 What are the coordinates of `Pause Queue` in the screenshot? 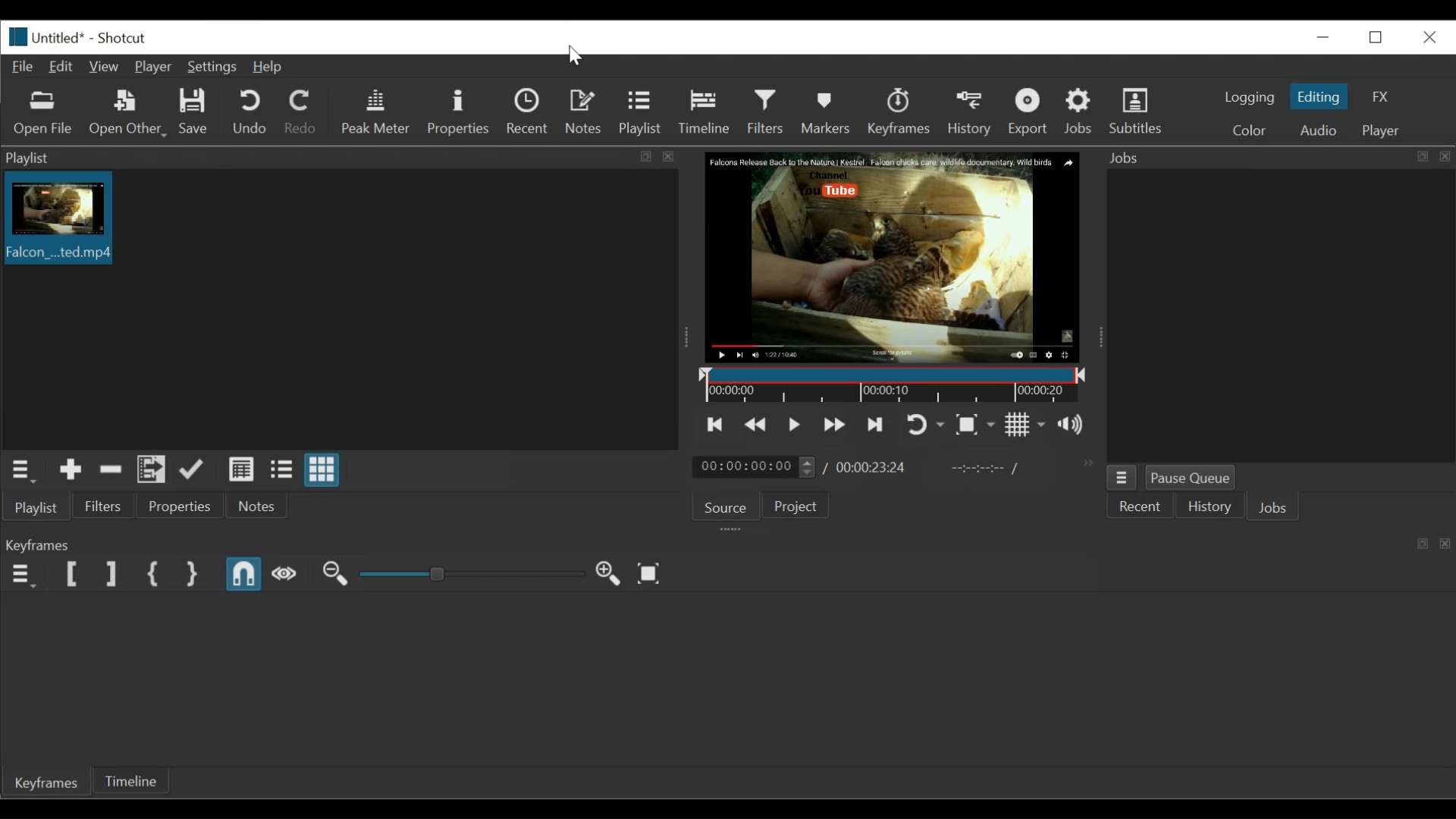 It's located at (1195, 477).